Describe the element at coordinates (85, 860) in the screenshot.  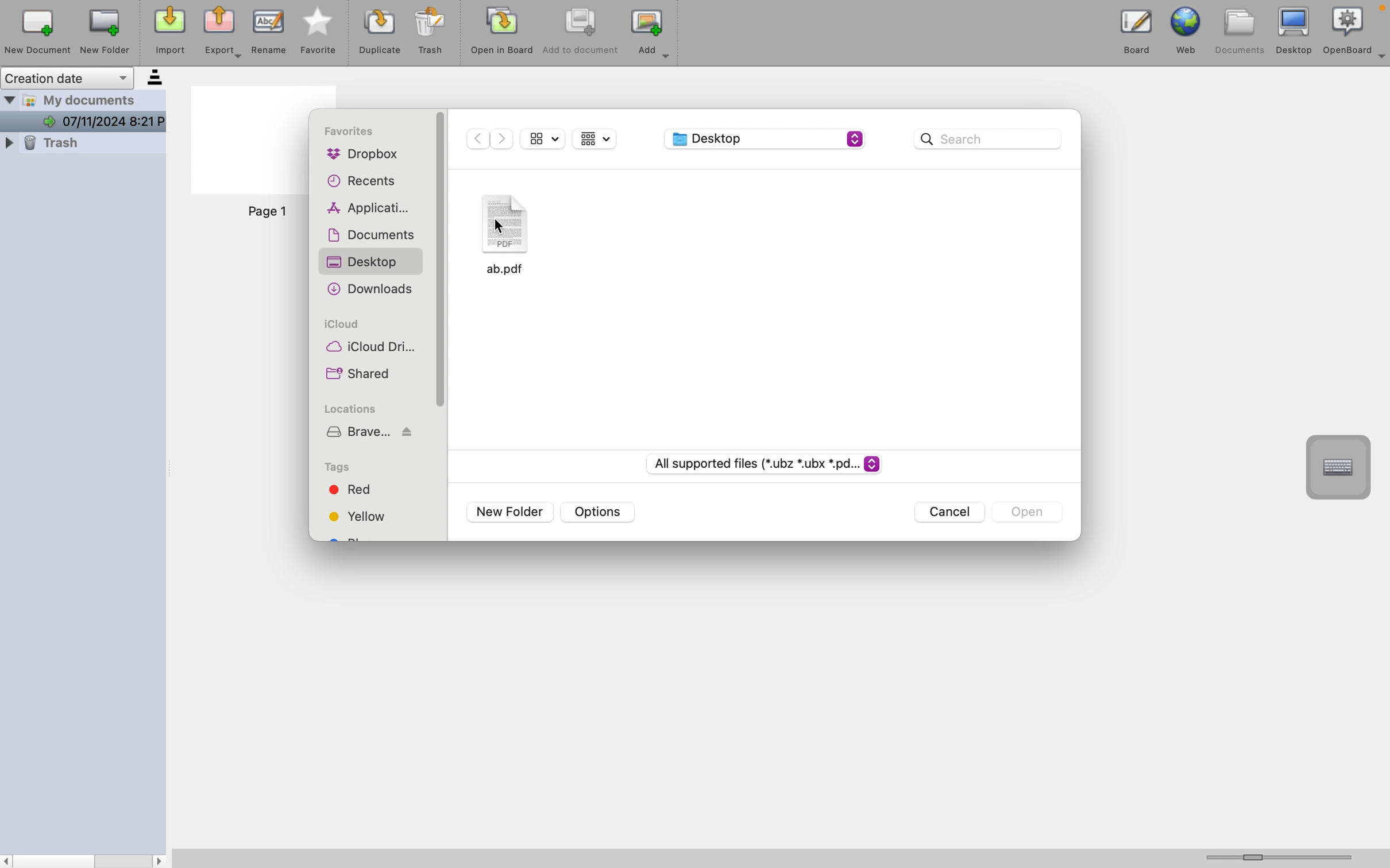
I see `scrollbar` at that location.